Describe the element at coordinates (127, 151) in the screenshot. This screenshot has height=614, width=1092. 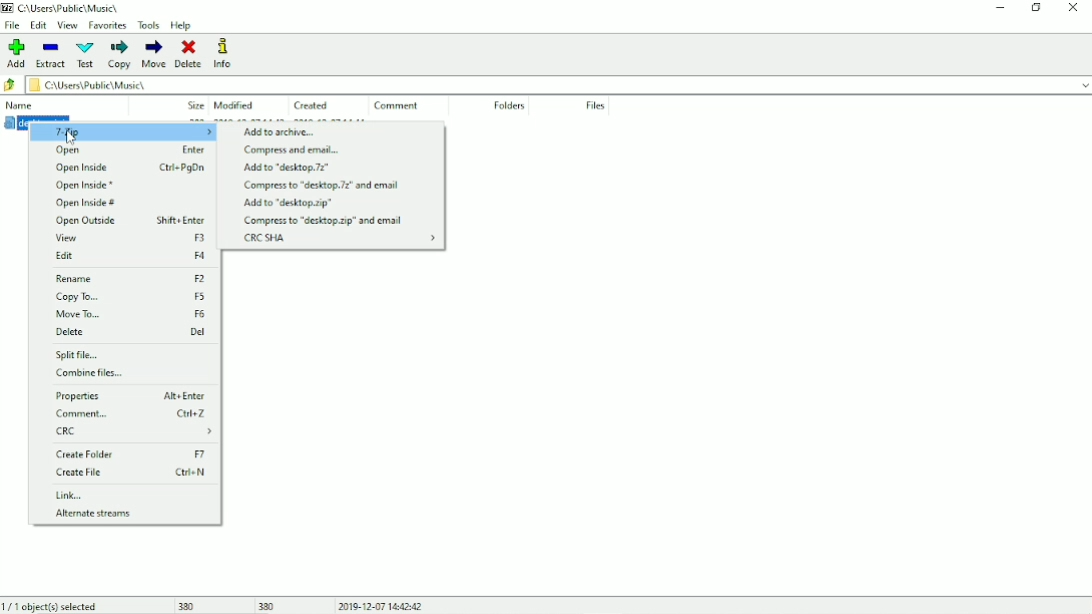
I see `Open` at that location.